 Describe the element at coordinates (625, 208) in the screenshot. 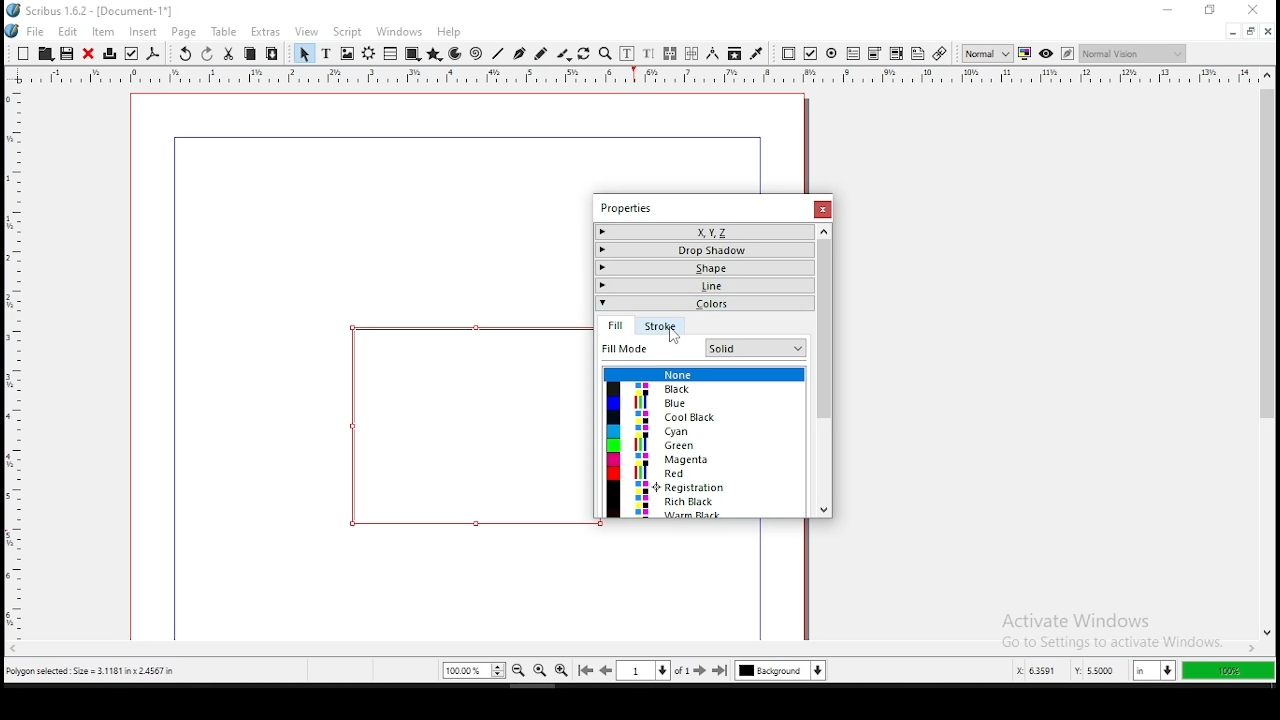

I see `properties` at that location.